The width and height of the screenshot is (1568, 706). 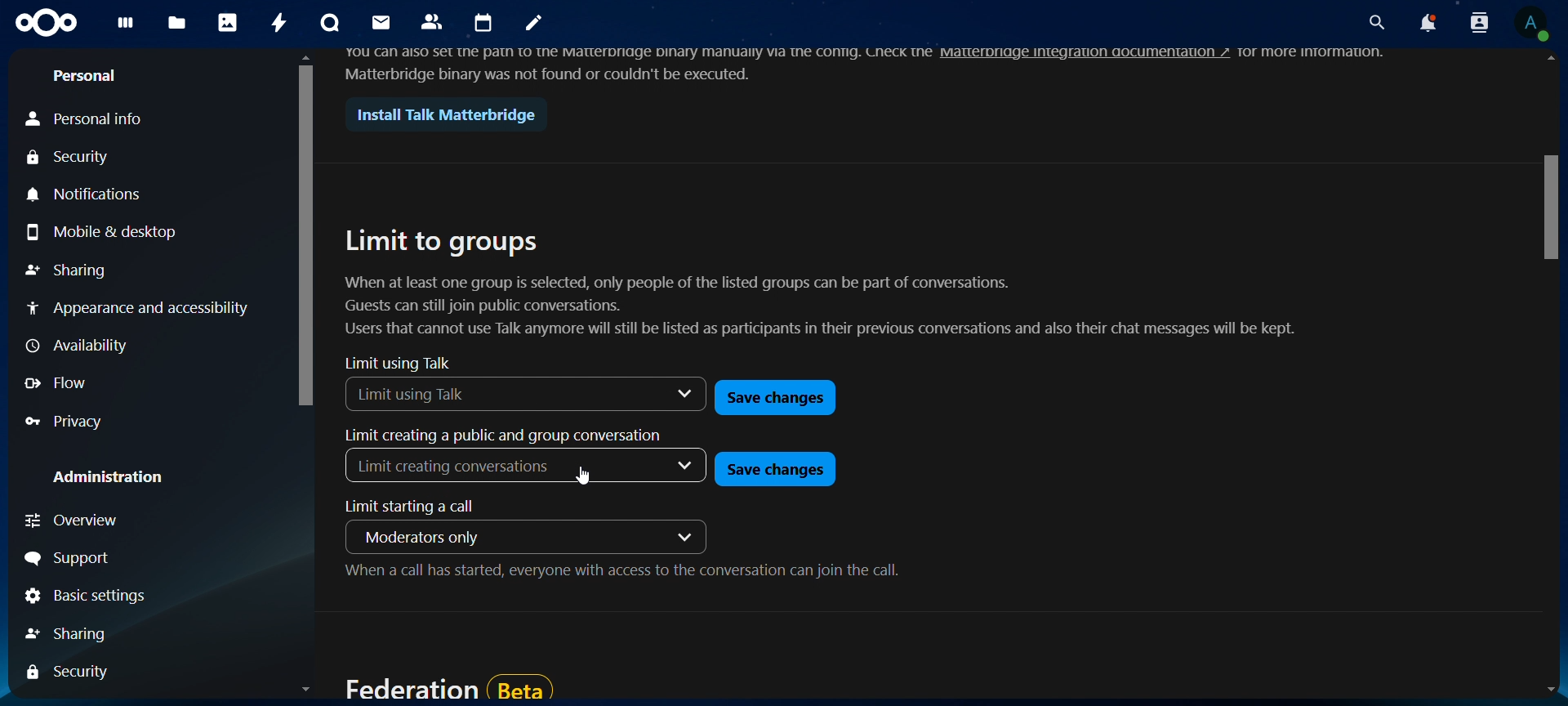 I want to click on Matterbridge binary was not found or couldn't be executed., so click(x=550, y=74).